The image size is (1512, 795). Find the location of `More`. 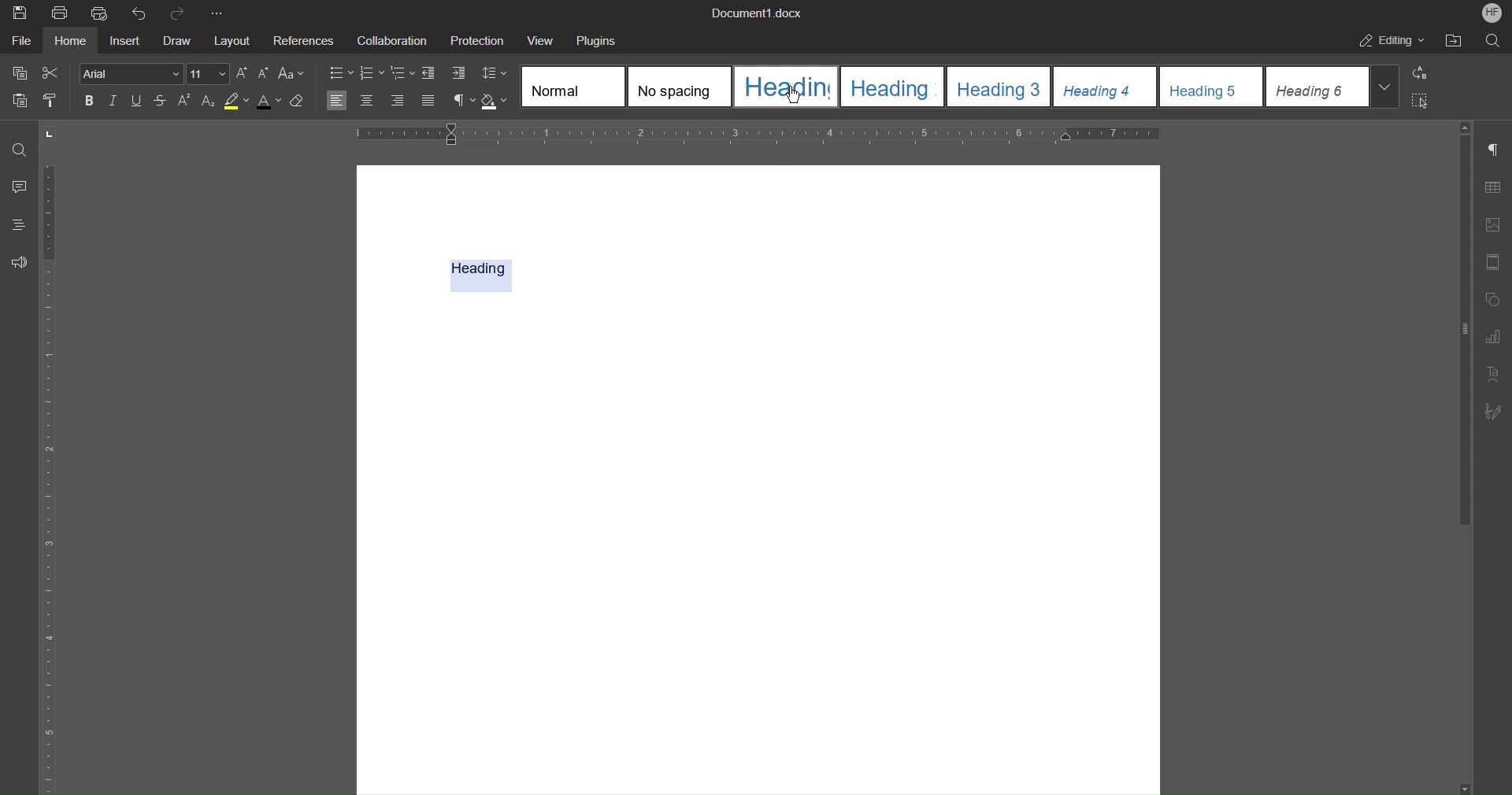

More is located at coordinates (219, 11).